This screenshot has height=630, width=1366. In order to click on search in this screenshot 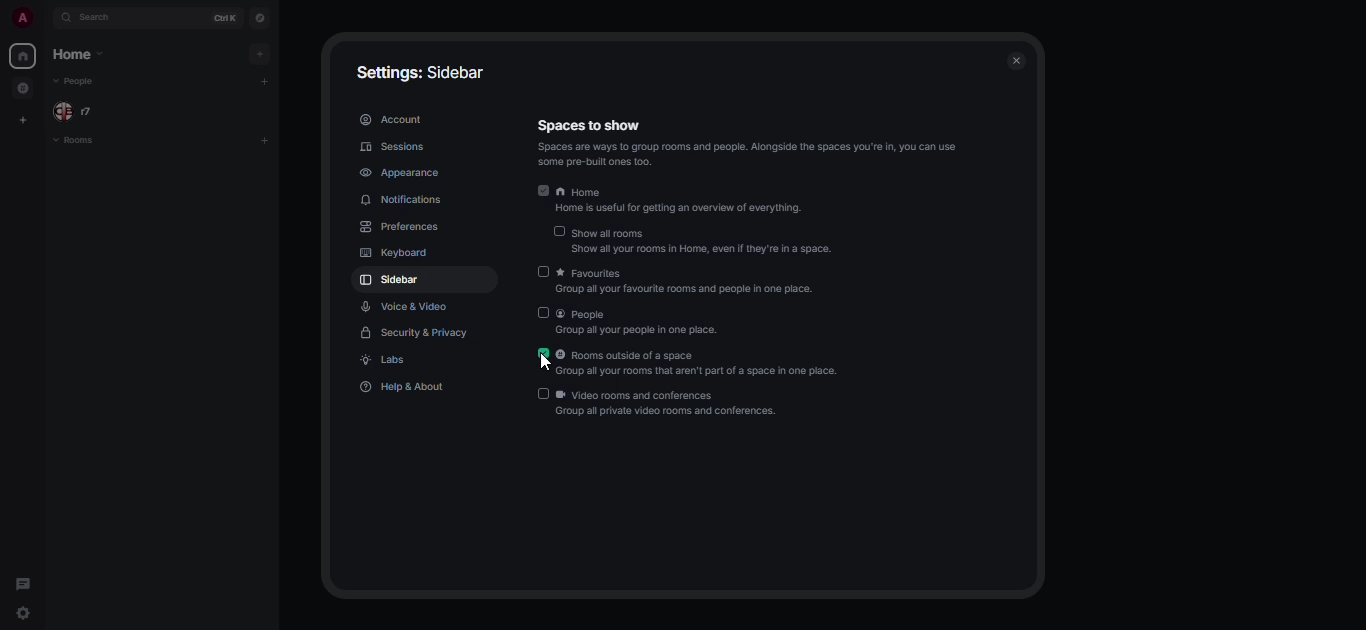, I will do `click(109, 19)`.